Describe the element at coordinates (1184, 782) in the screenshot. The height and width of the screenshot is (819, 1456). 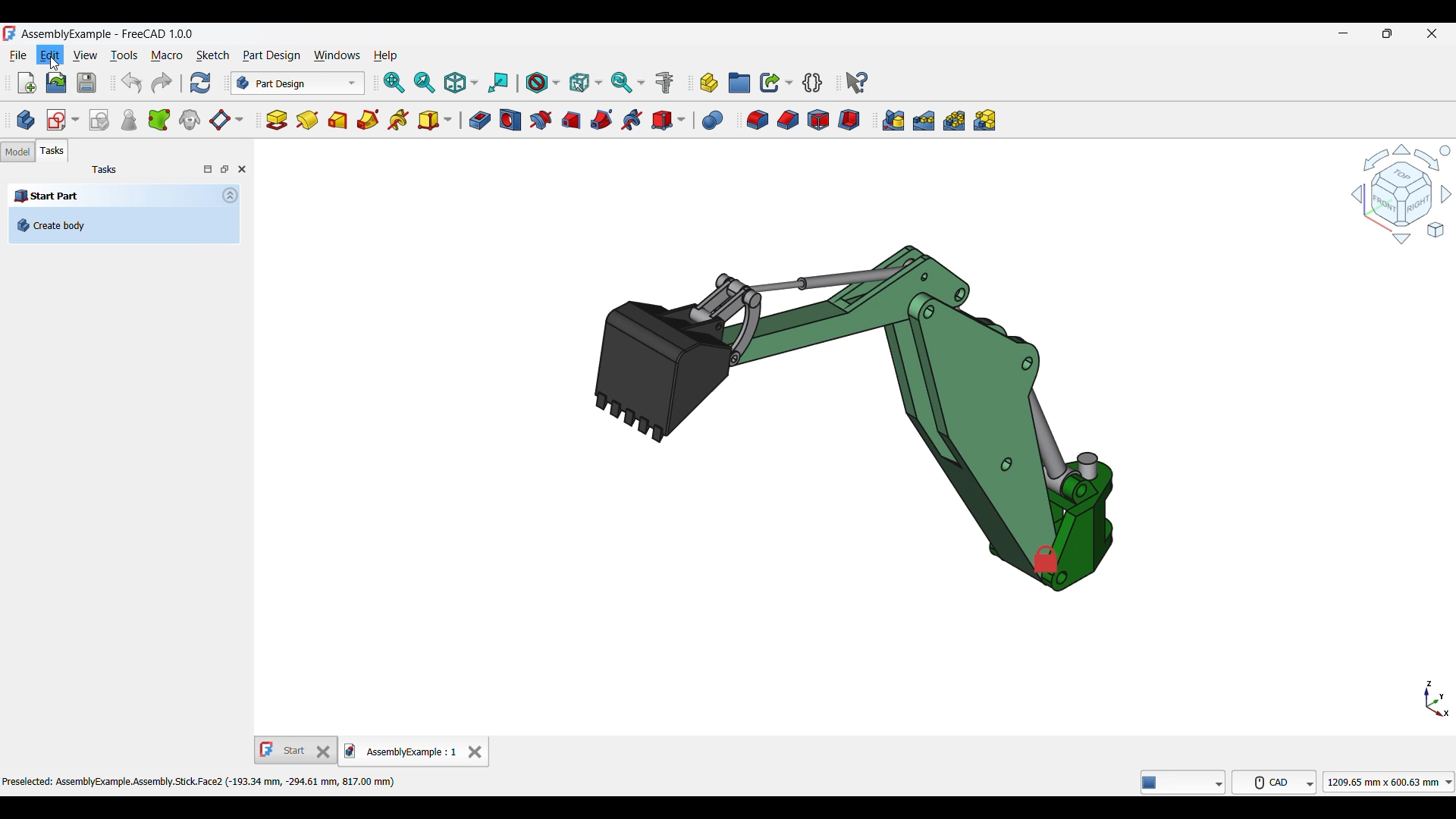
I see `Button` at that location.